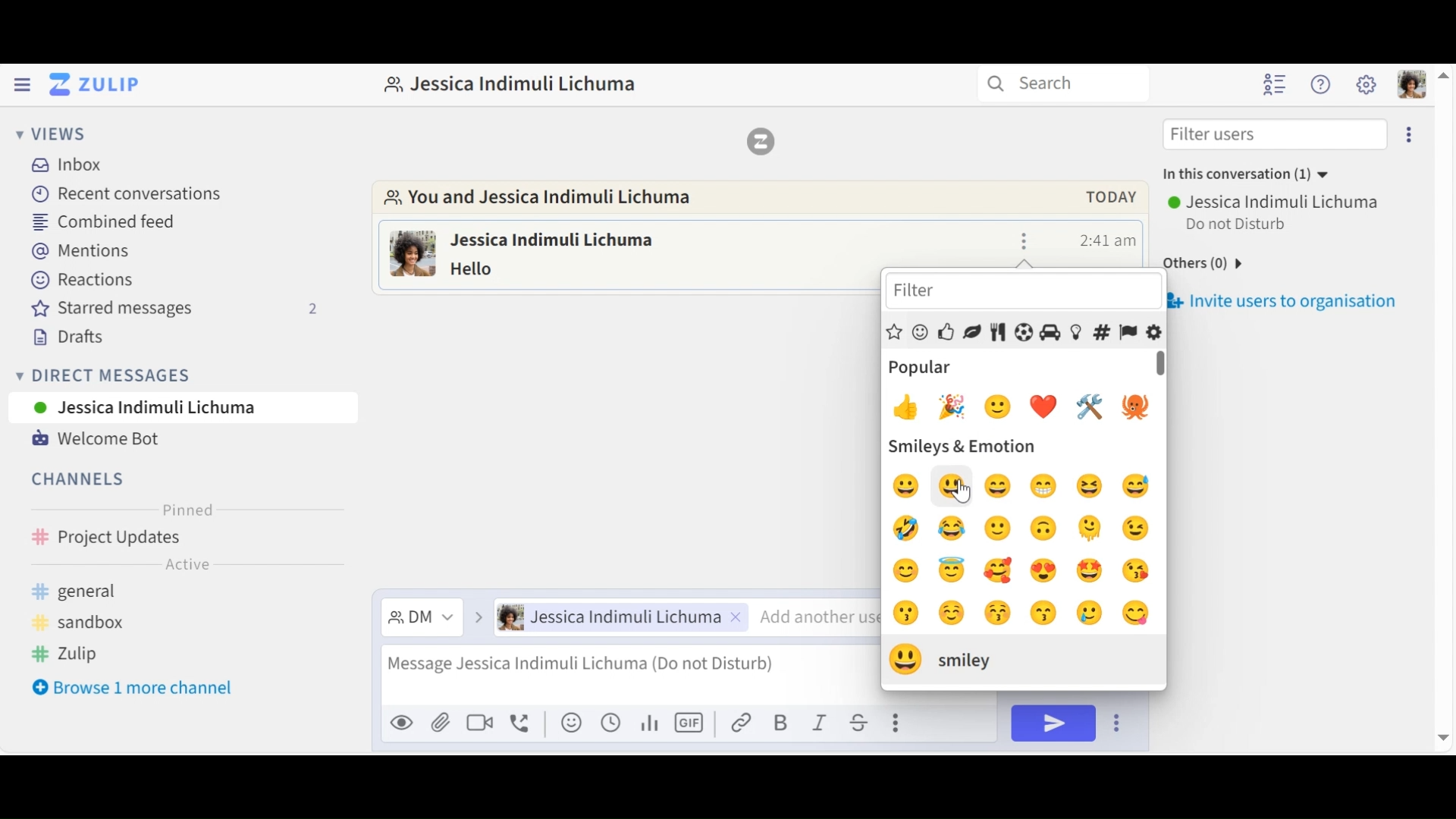 Image resolution: width=1456 pixels, height=819 pixels. What do you see at coordinates (108, 221) in the screenshot?
I see `Combined Feed` at bounding box center [108, 221].